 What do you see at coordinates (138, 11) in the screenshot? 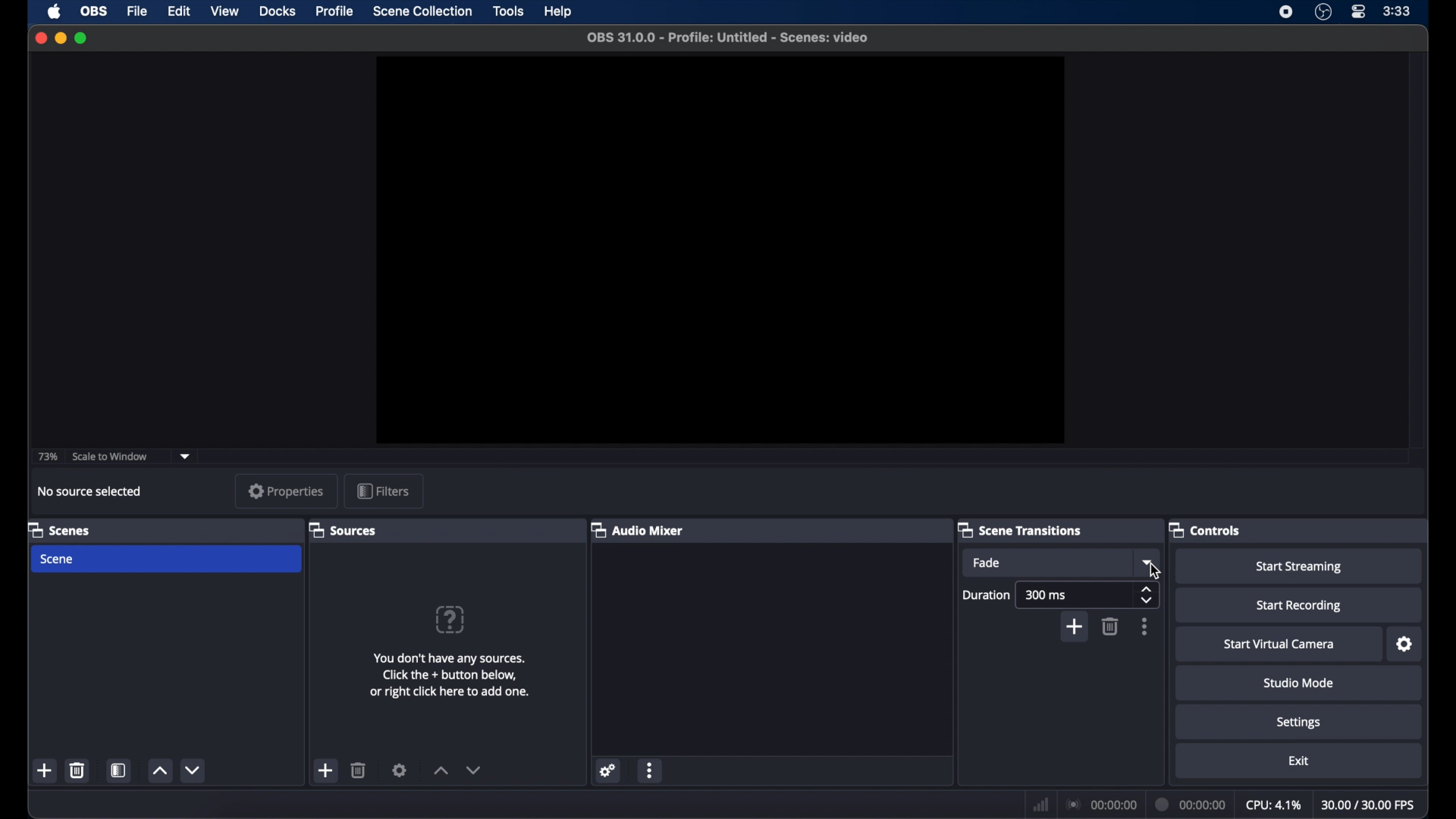
I see `file` at bounding box center [138, 11].